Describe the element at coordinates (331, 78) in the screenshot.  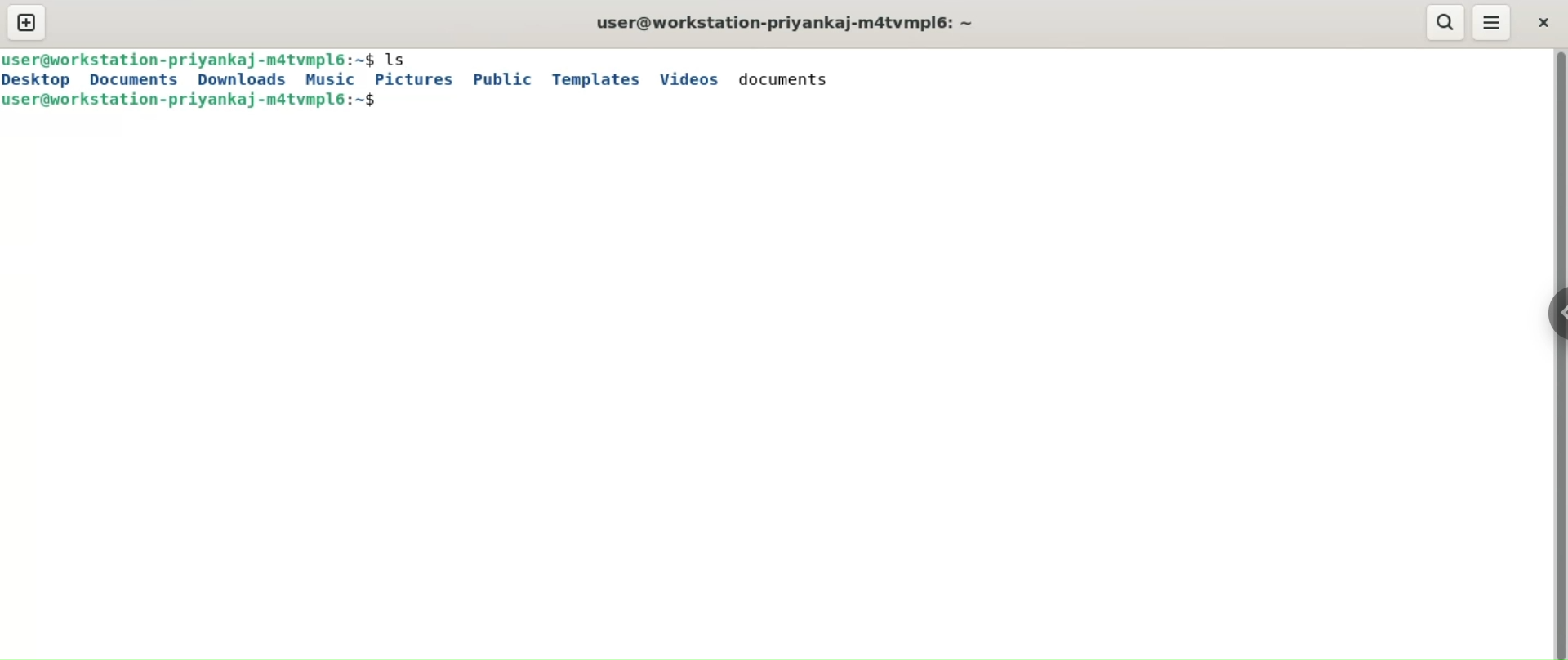
I see `music` at that location.